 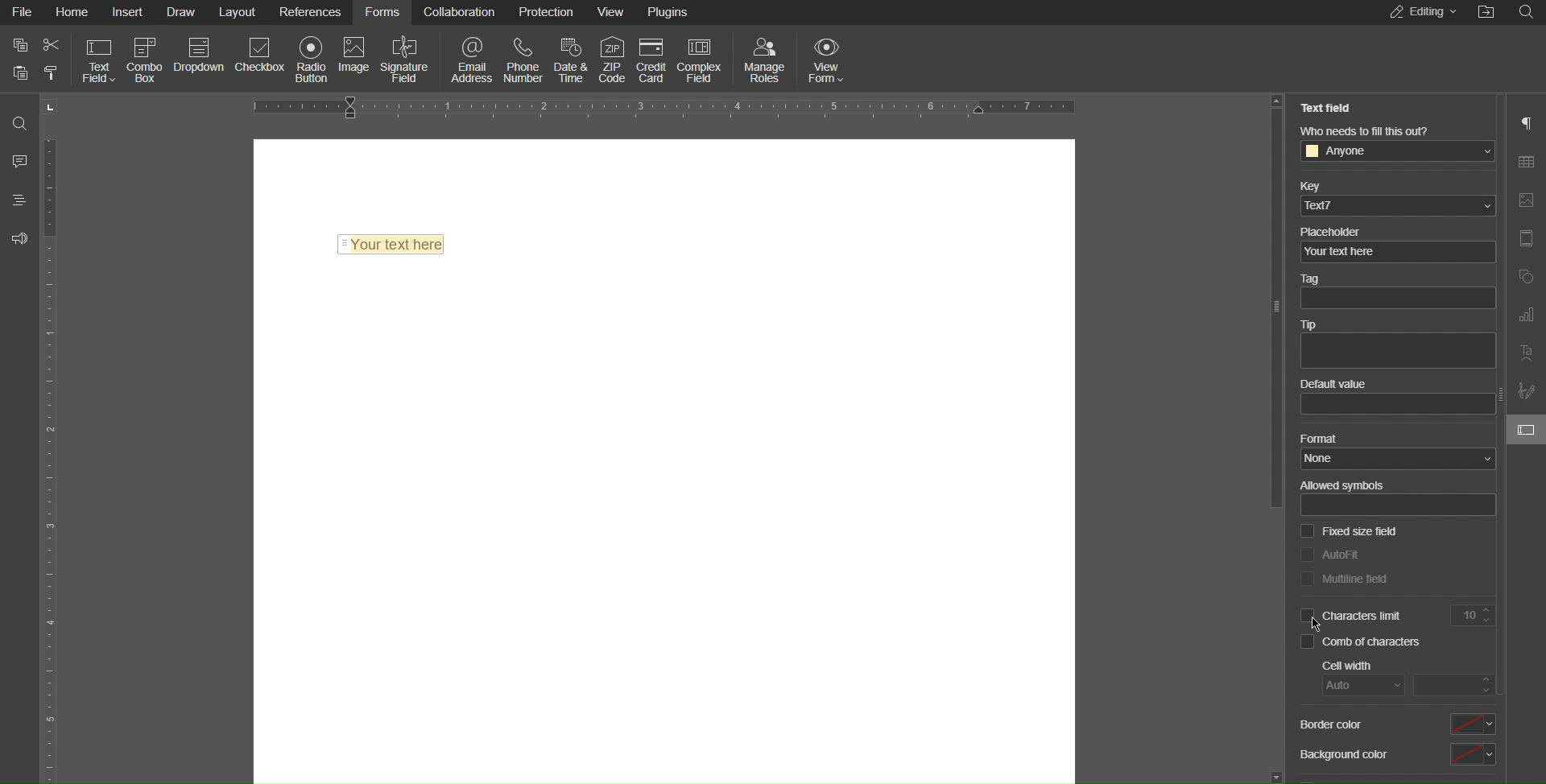 I want to click on Multiline Field, so click(x=1344, y=580).